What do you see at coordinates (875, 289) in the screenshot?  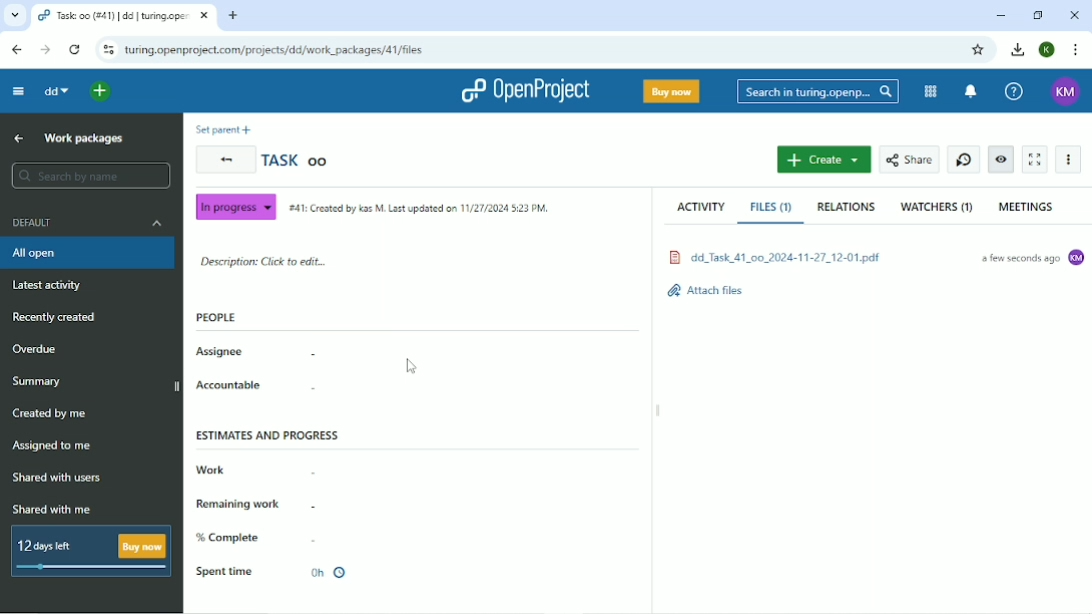 I see `attach files. ` at bounding box center [875, 289].